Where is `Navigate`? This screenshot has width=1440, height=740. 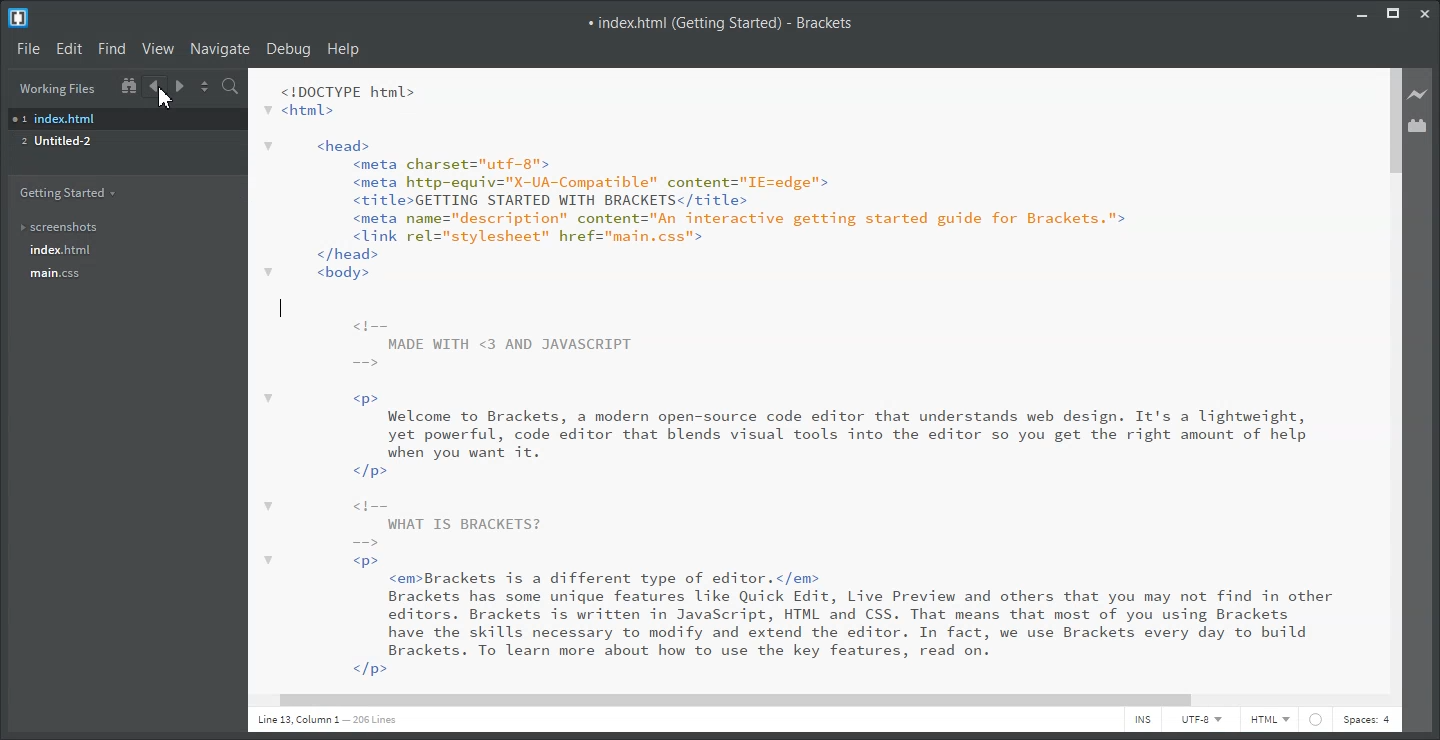 Navigate is located at coordinates (220, 49).